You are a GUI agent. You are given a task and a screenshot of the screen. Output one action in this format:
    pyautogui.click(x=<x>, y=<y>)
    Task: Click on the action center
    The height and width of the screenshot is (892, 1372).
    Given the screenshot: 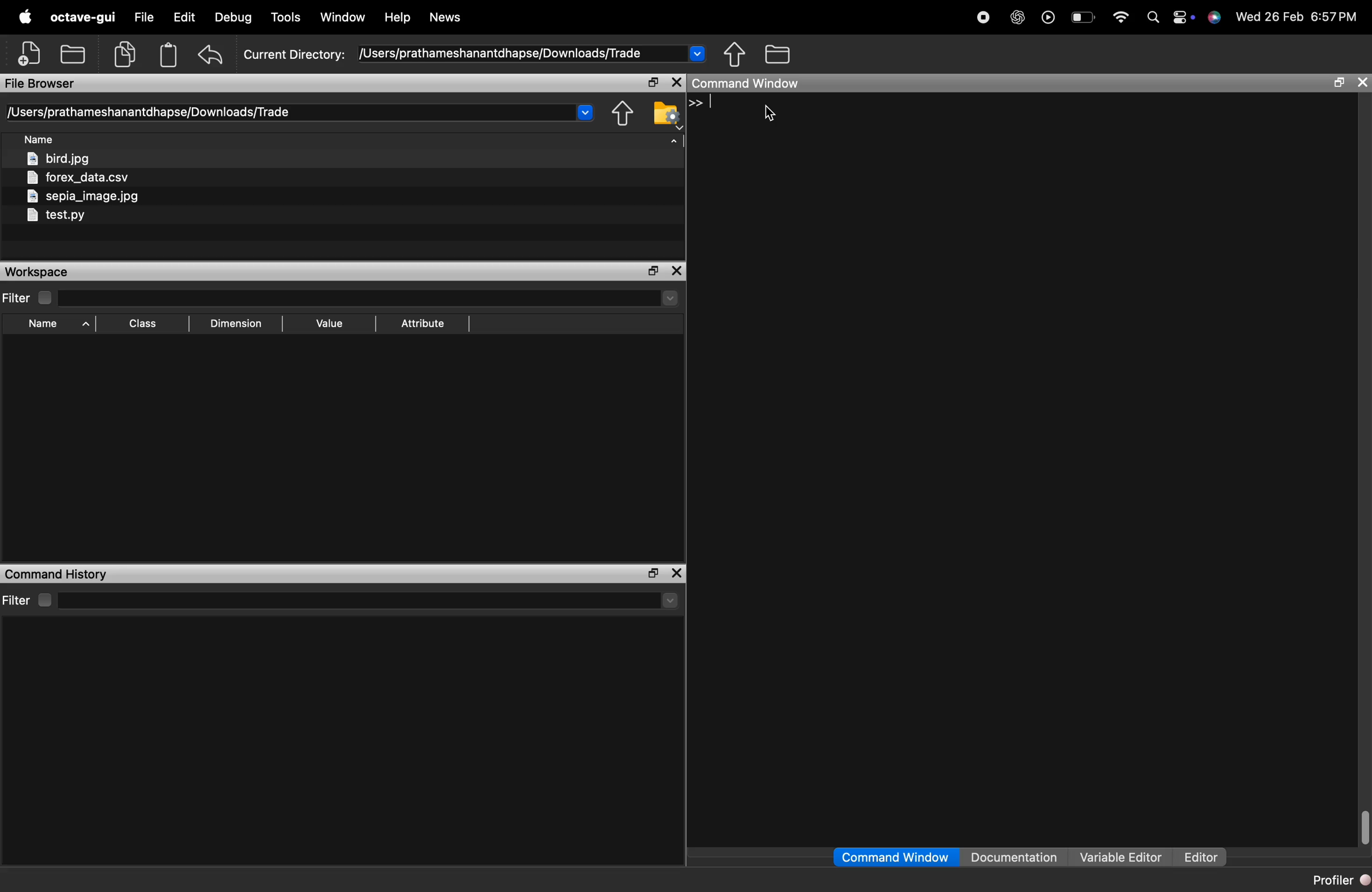 What is the action you would take?
    pyautogui.click(x=1186, y=18)
    